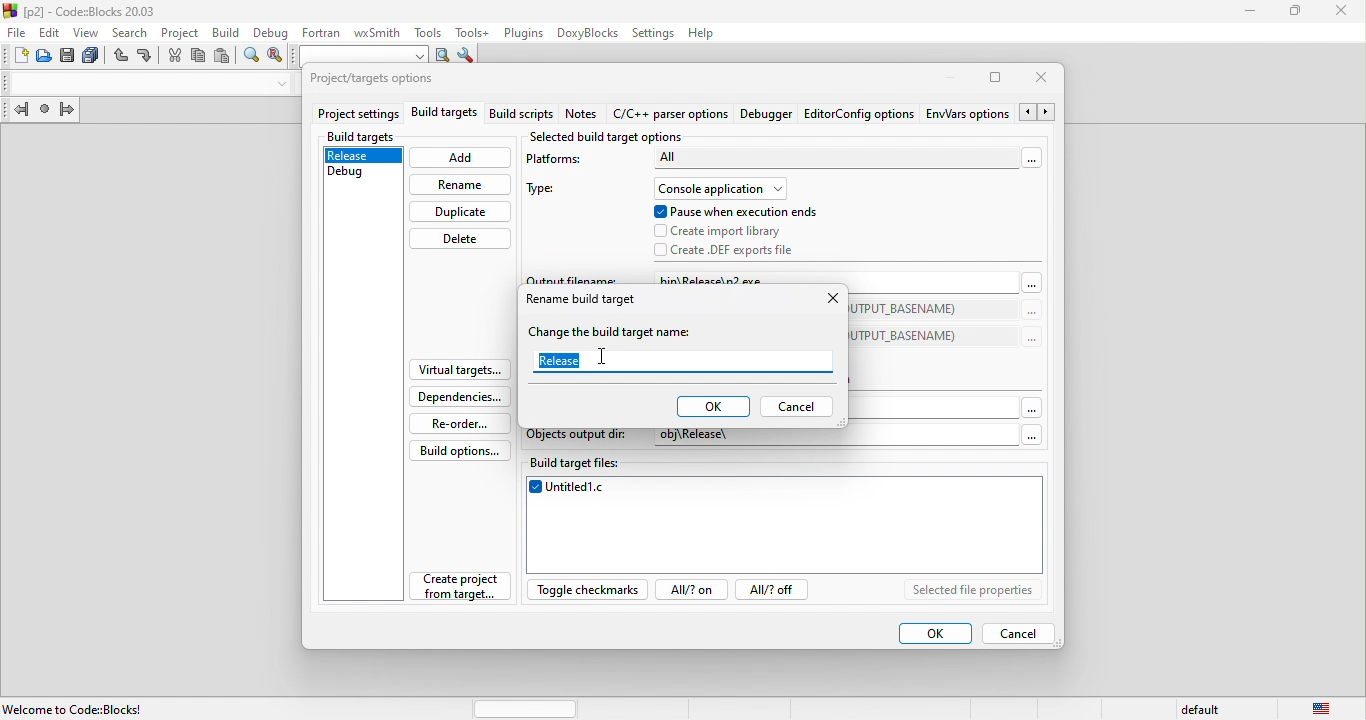 The height and width of the screenshot is (720, 1366). What do you see at coordinates (694, 590) in the screenshot?
I see `all?on` at bounding box center [694, 590].